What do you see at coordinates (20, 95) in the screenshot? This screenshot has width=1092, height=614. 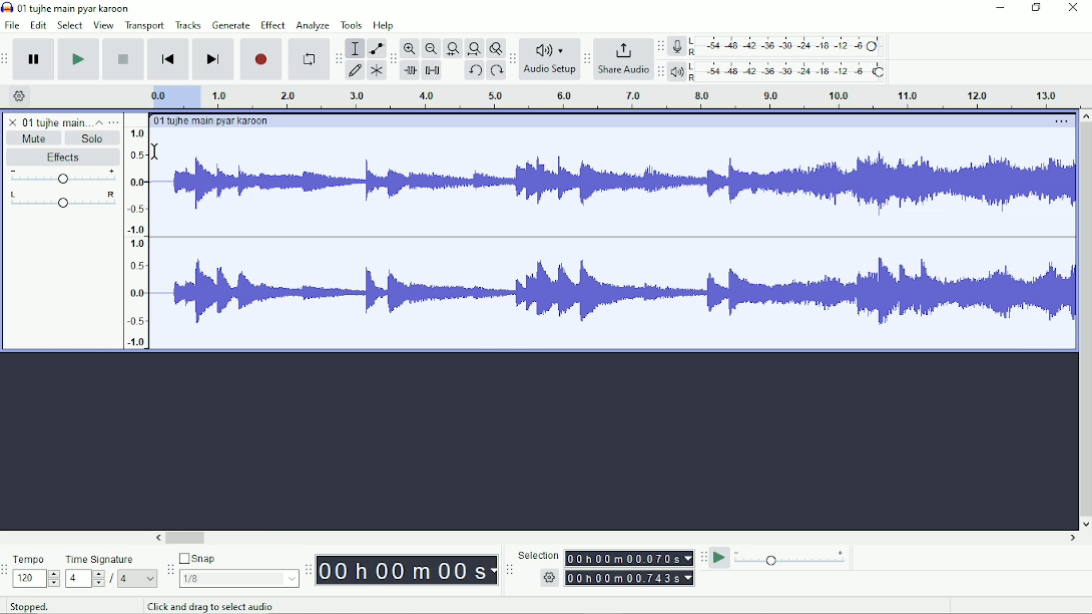 I see `Setting logo` at bounding box center [20, 95].